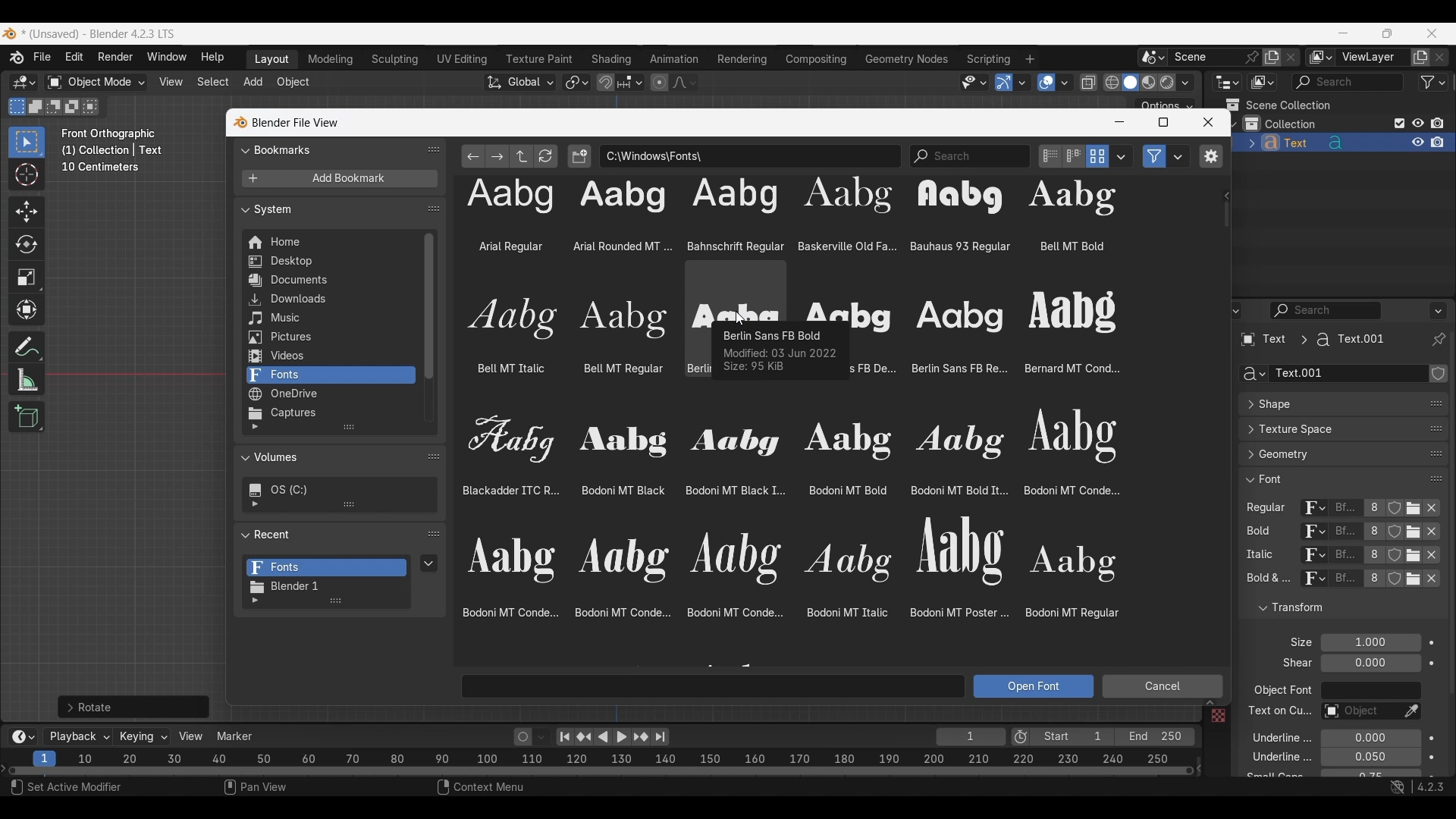 This screenshot has width=1456, height=819. Describe the element at coordinates (1370, 663) in the screenshot. I see `Shear` at that location.